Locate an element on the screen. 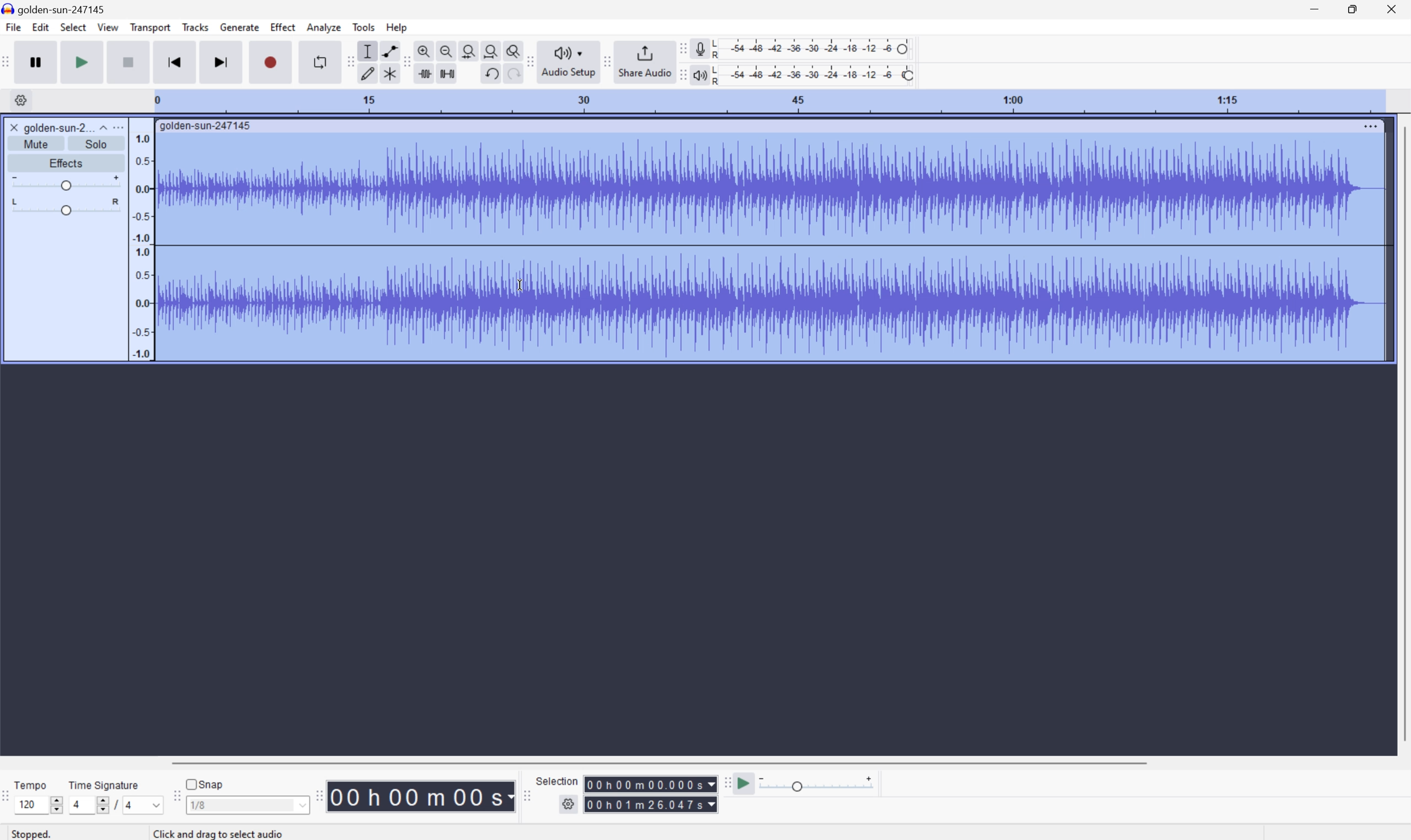  Audio Setup is located at coordinates (568, 62).